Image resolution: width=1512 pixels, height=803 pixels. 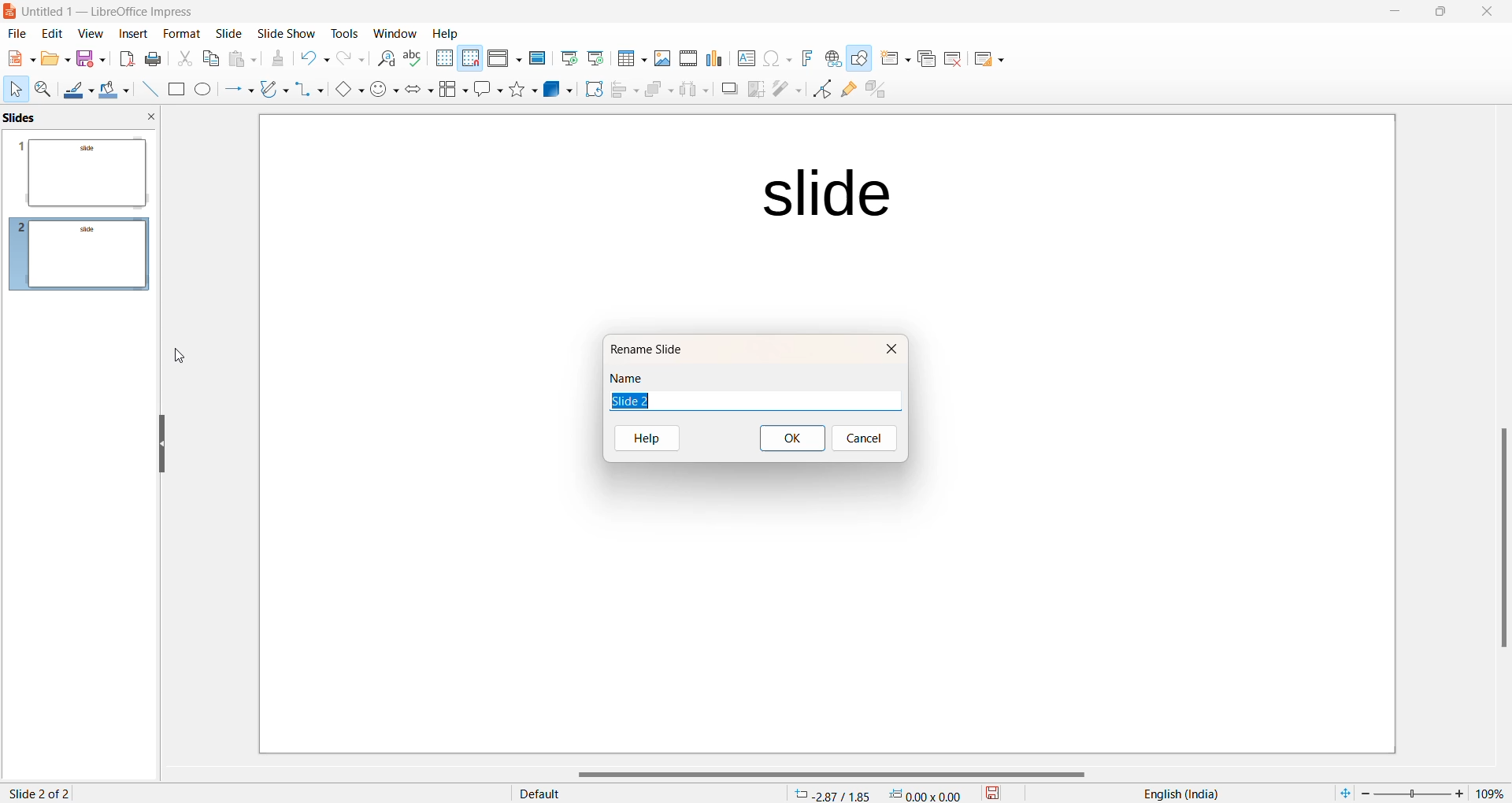 I want to click on display type, so click(x=626, y=794).